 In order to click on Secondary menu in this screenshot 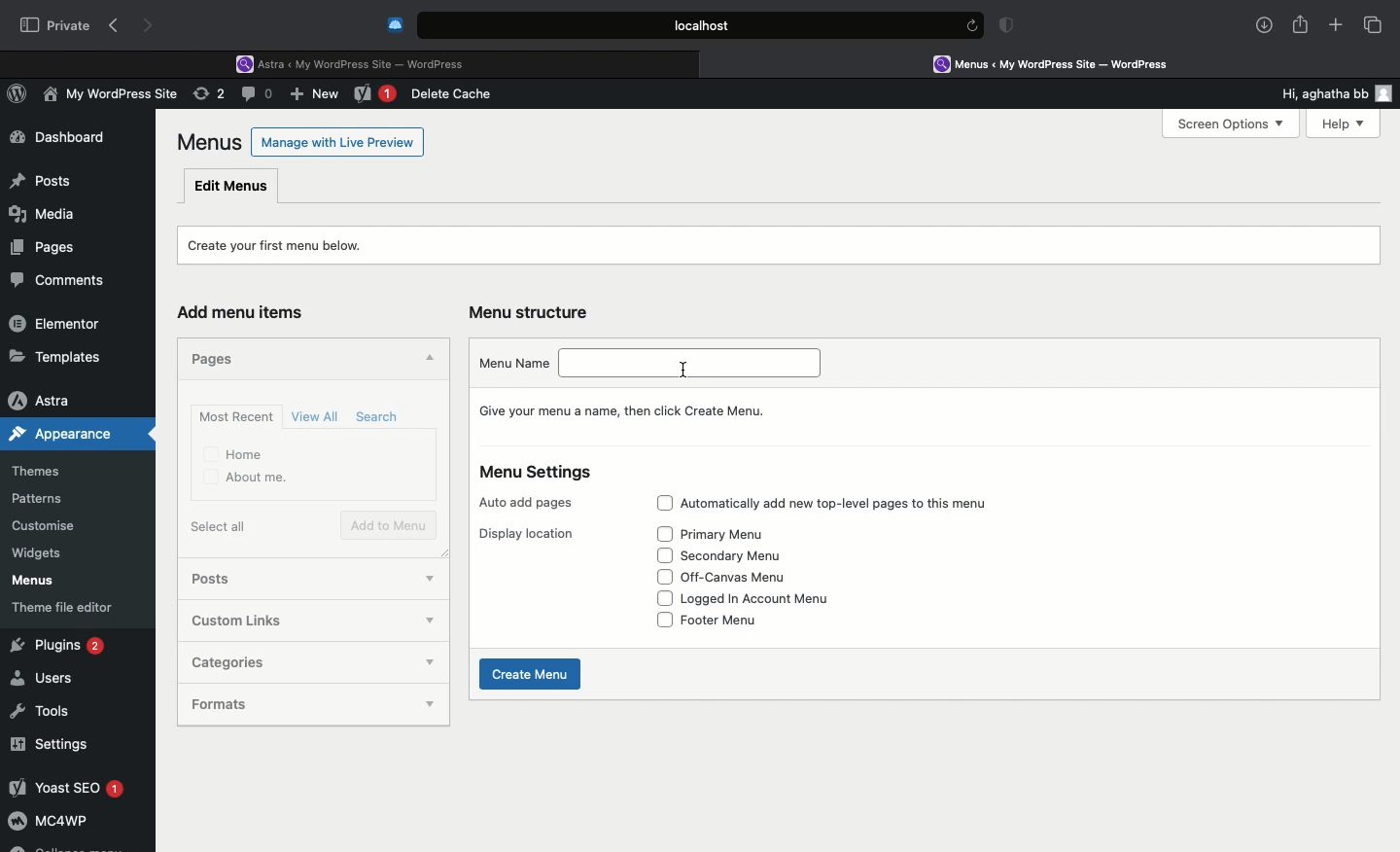, I will do `click(744, 555)`.